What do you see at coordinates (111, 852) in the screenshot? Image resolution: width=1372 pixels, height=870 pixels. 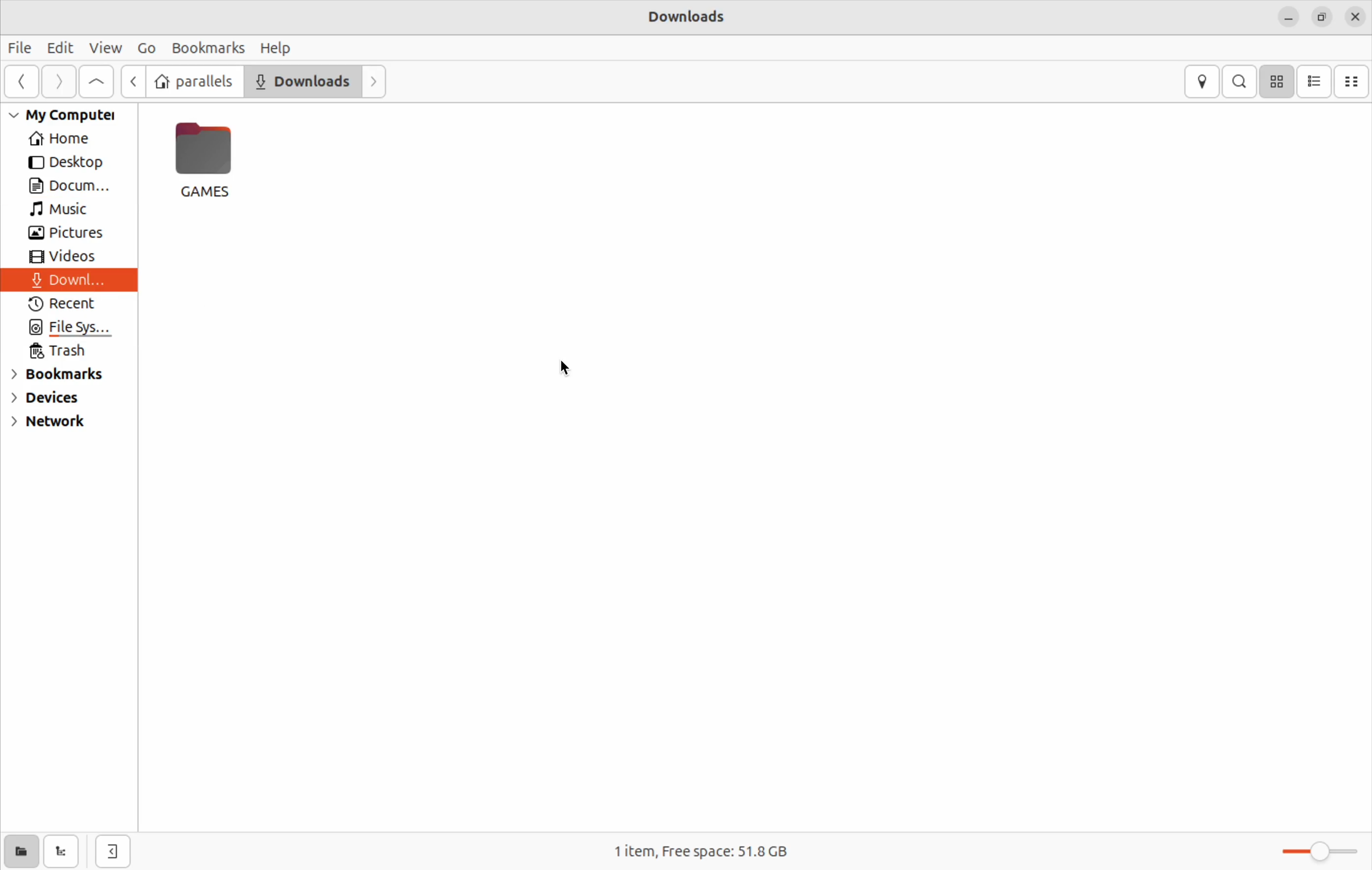 I see `hide side bar` at bounding box center [111, 852].